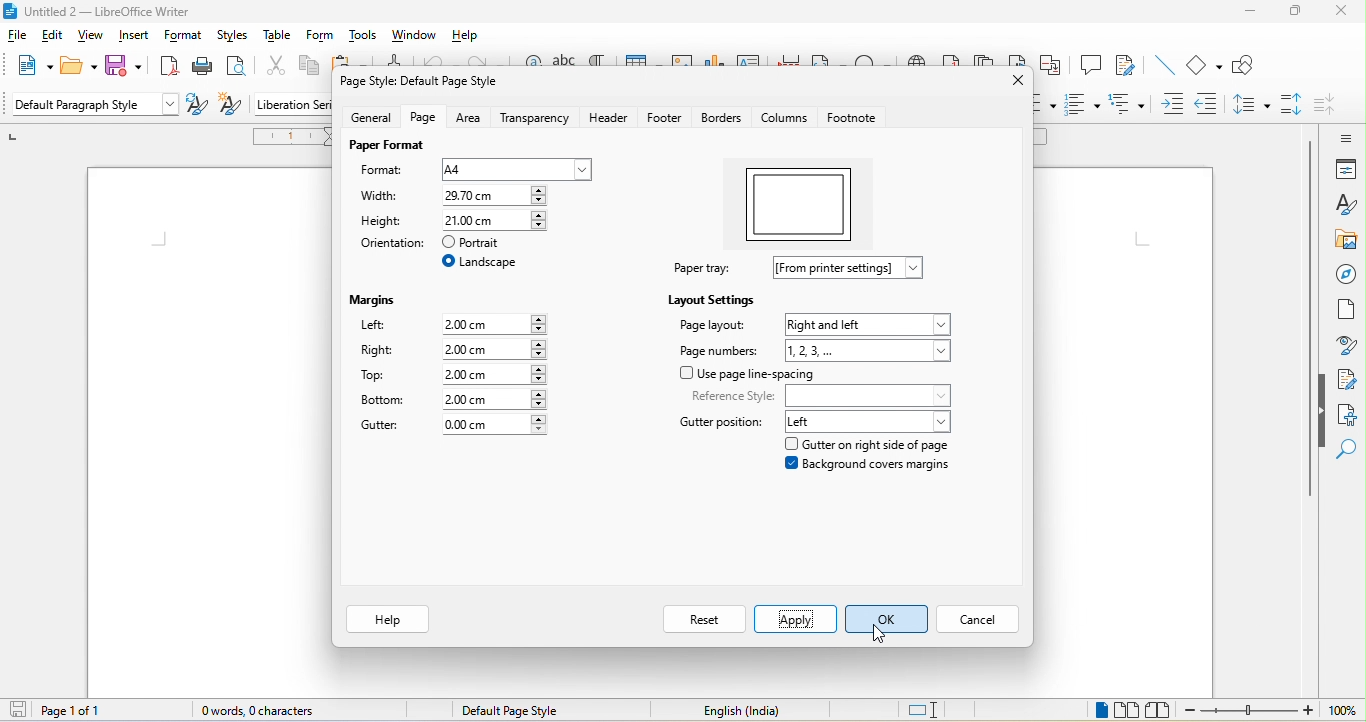  Describe the element at coordinates (1346, 347) in the screenshot. I see `style inspecter` at that location.